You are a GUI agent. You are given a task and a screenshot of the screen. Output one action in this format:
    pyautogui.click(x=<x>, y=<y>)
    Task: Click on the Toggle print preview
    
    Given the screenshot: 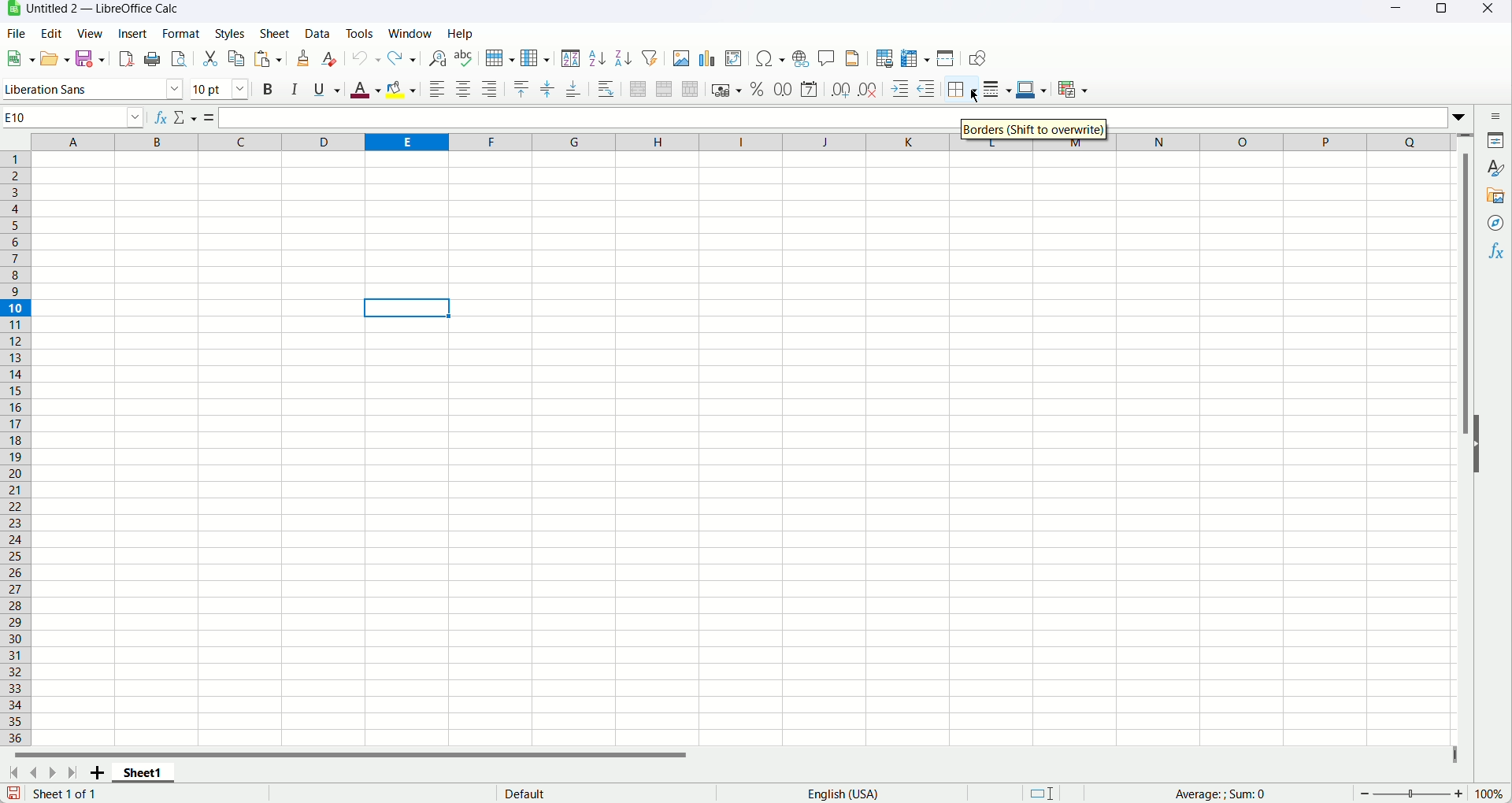 What is the action you would take?
    pyautogui.click(x=179, y=58)
    